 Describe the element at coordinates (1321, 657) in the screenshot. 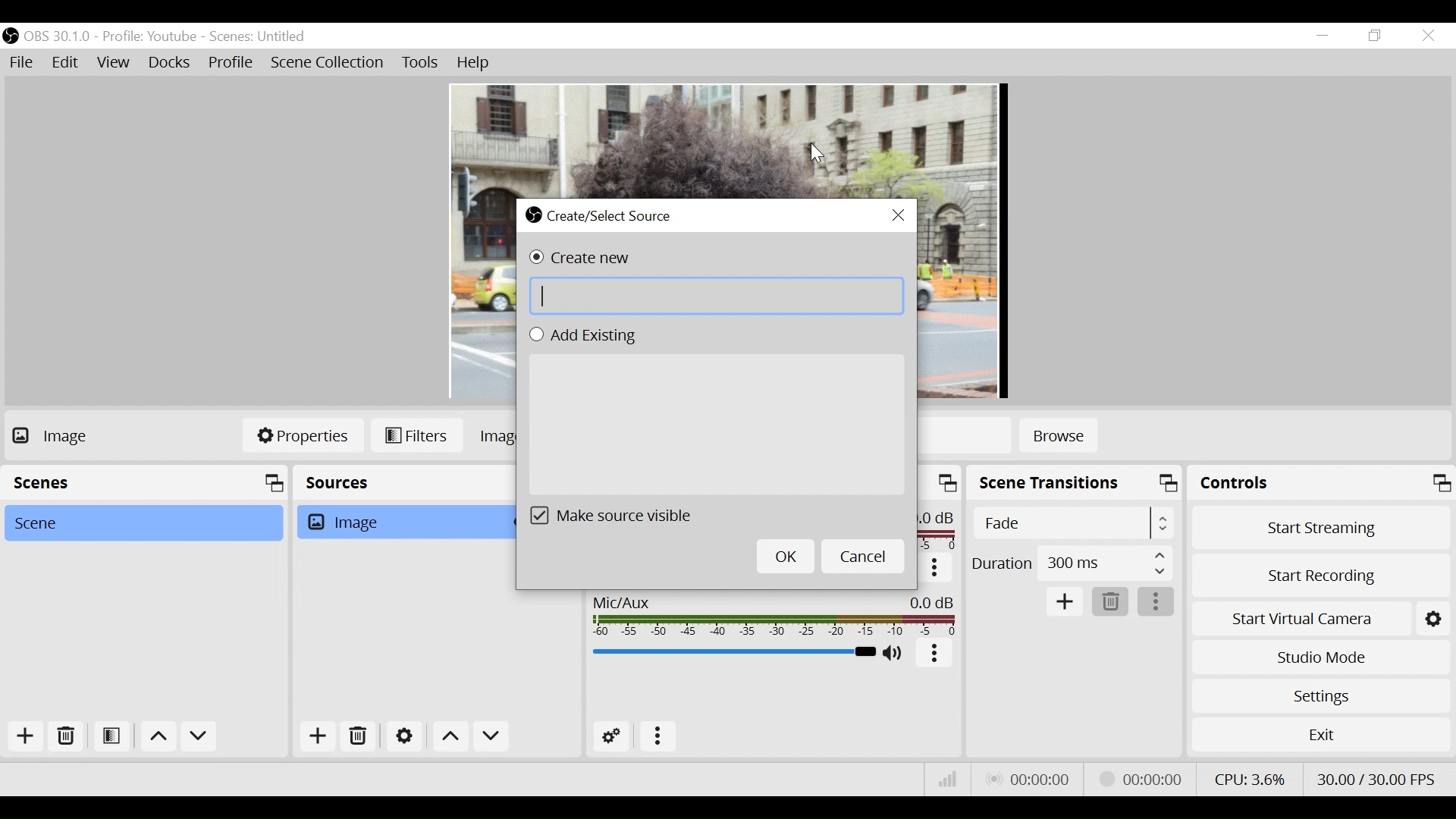

I see `Studio Mode` at that location.